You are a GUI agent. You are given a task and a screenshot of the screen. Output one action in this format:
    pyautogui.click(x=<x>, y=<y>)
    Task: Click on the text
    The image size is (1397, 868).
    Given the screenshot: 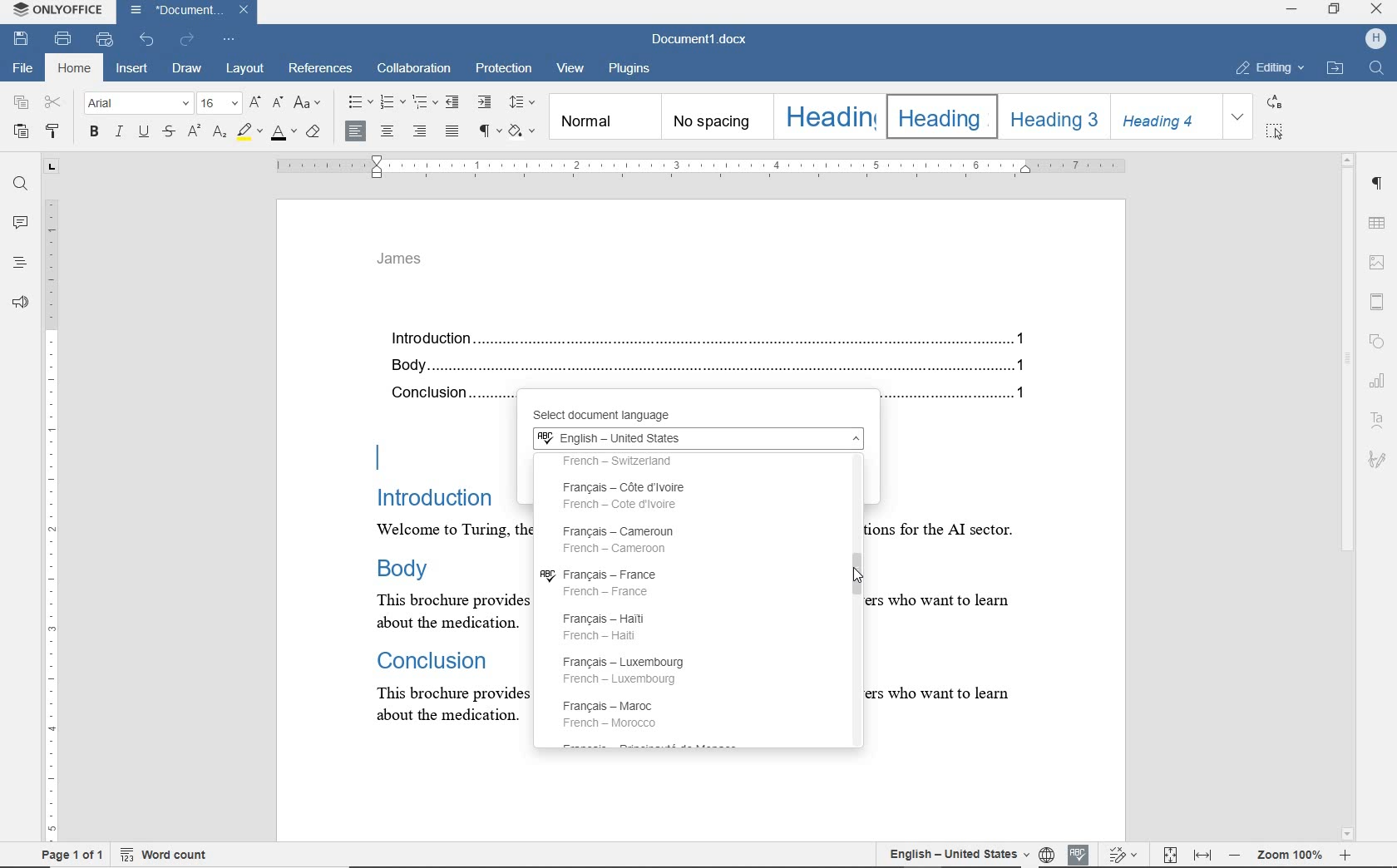 What is the action you would take?
    pyautogui.click(x=956, y=551)
    